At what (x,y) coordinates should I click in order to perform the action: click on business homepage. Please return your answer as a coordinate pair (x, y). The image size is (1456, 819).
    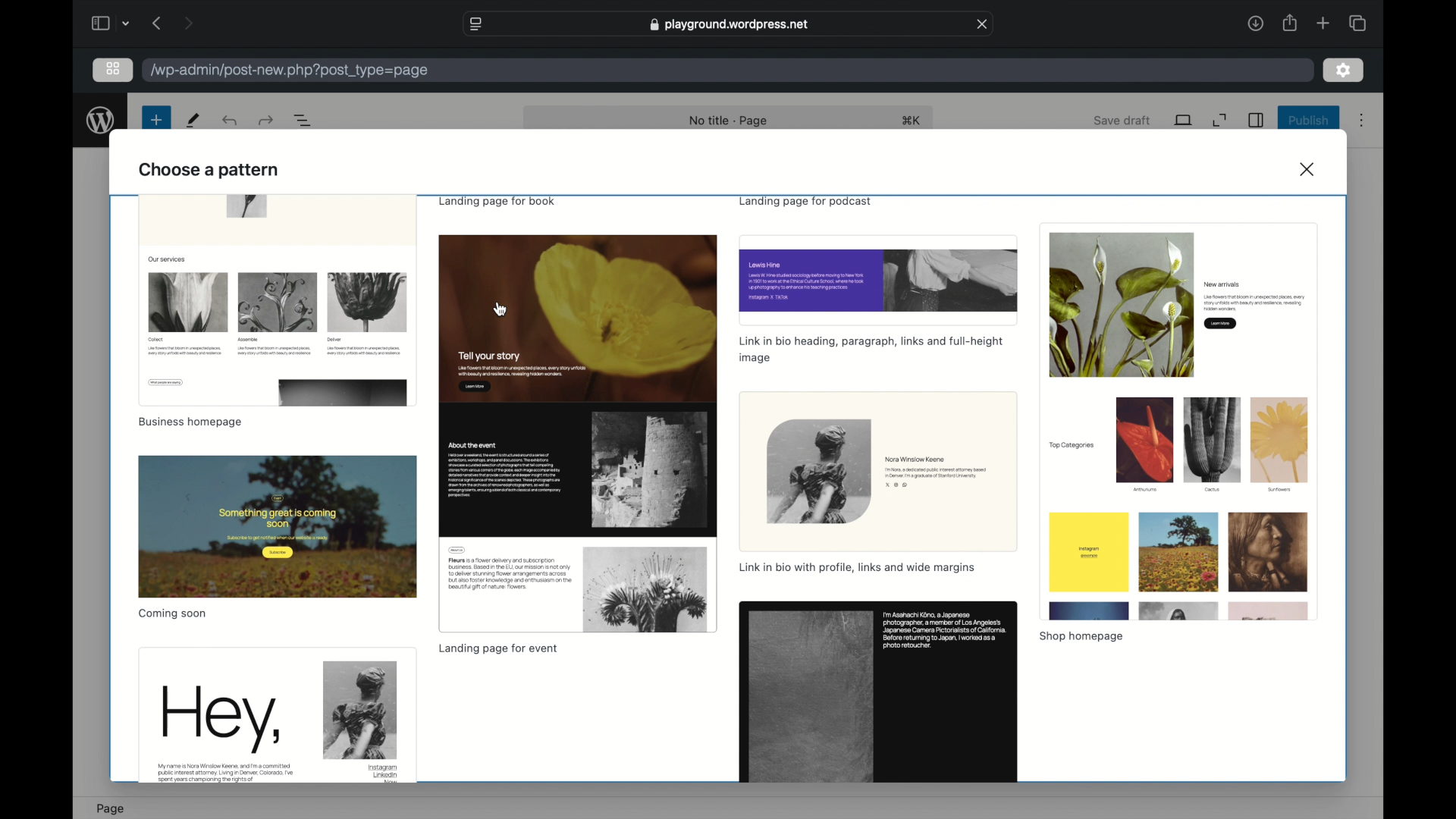
    Looking at the image, I should click on (190, 422).